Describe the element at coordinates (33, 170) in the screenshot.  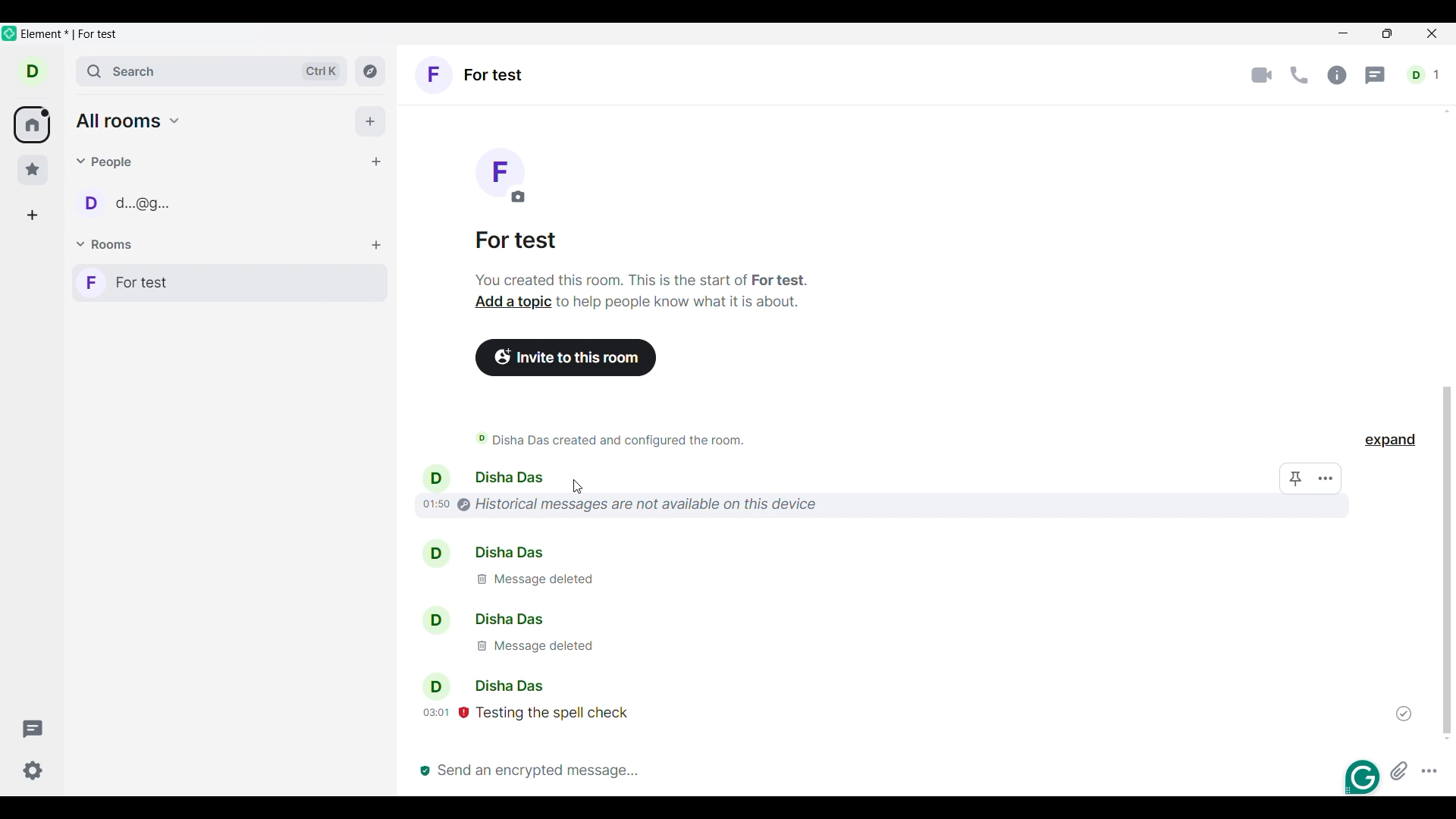
I see `Favorites` at that location.